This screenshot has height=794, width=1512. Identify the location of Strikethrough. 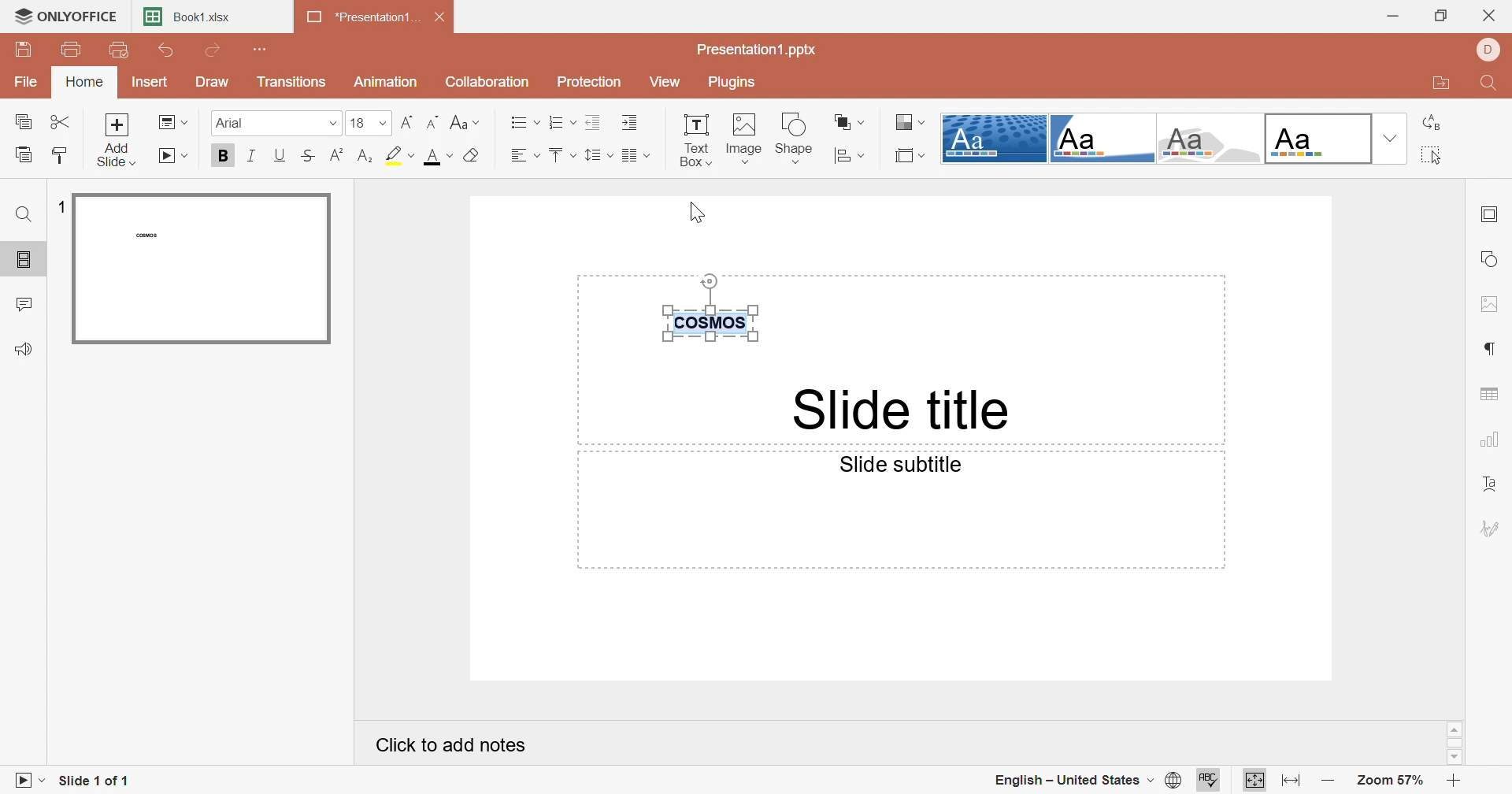
(309, 157).